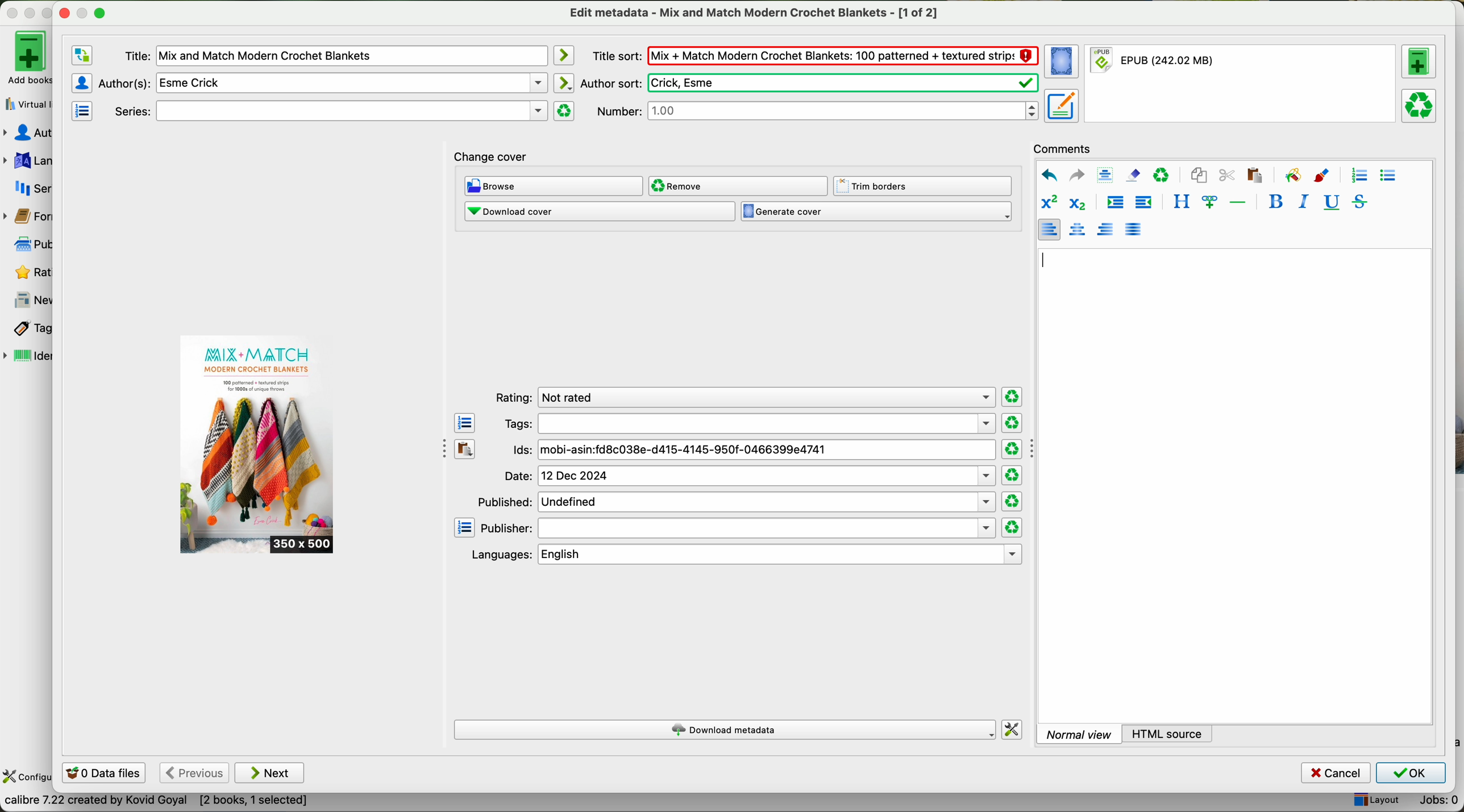 The width and height of the screenshot is (1464, 812). Describe the element at coordinates (1079, 230) in the screenshot. I see `align center` at that location.